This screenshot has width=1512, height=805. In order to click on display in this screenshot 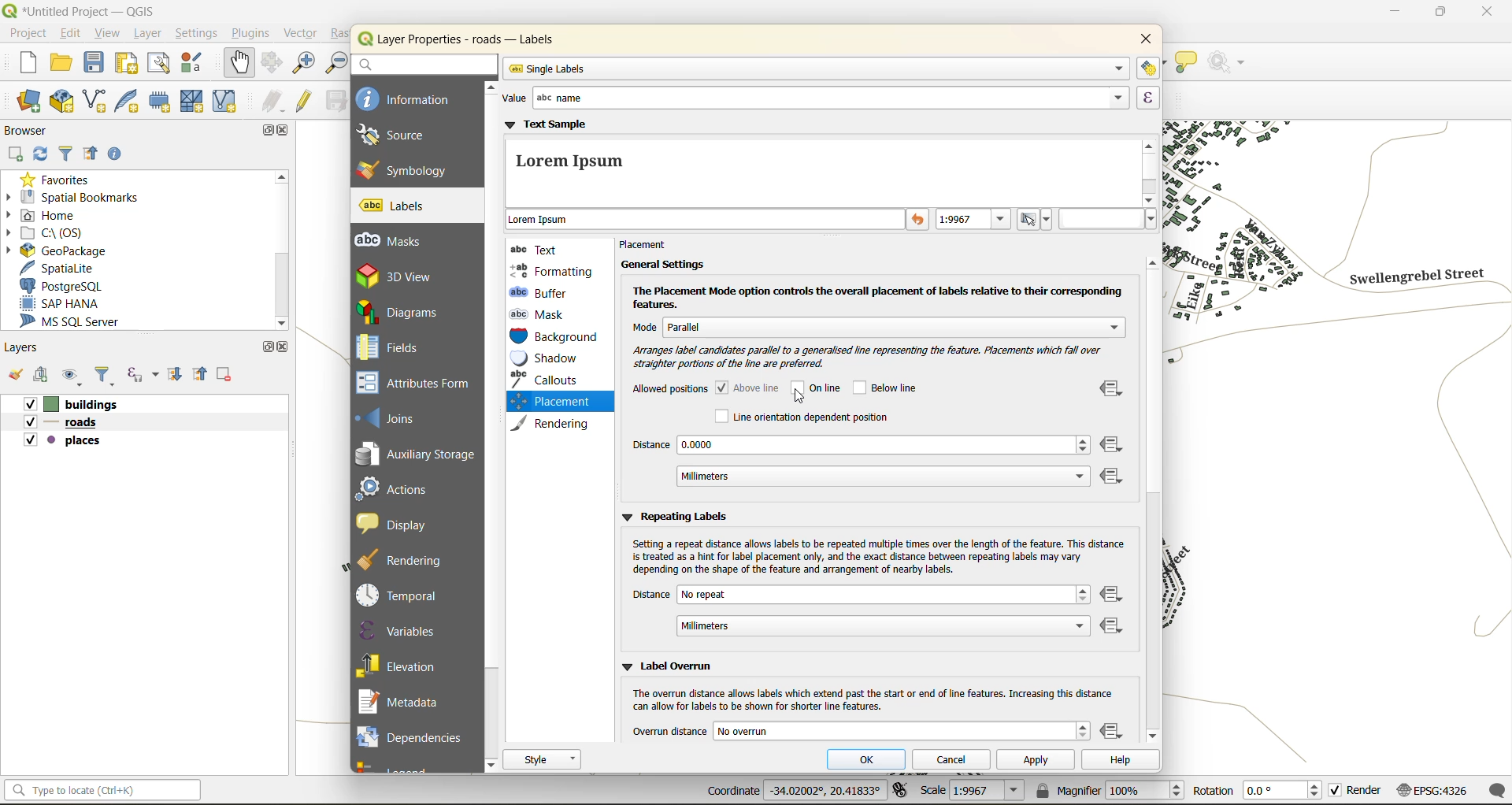, I will do `click(399, 523)`.